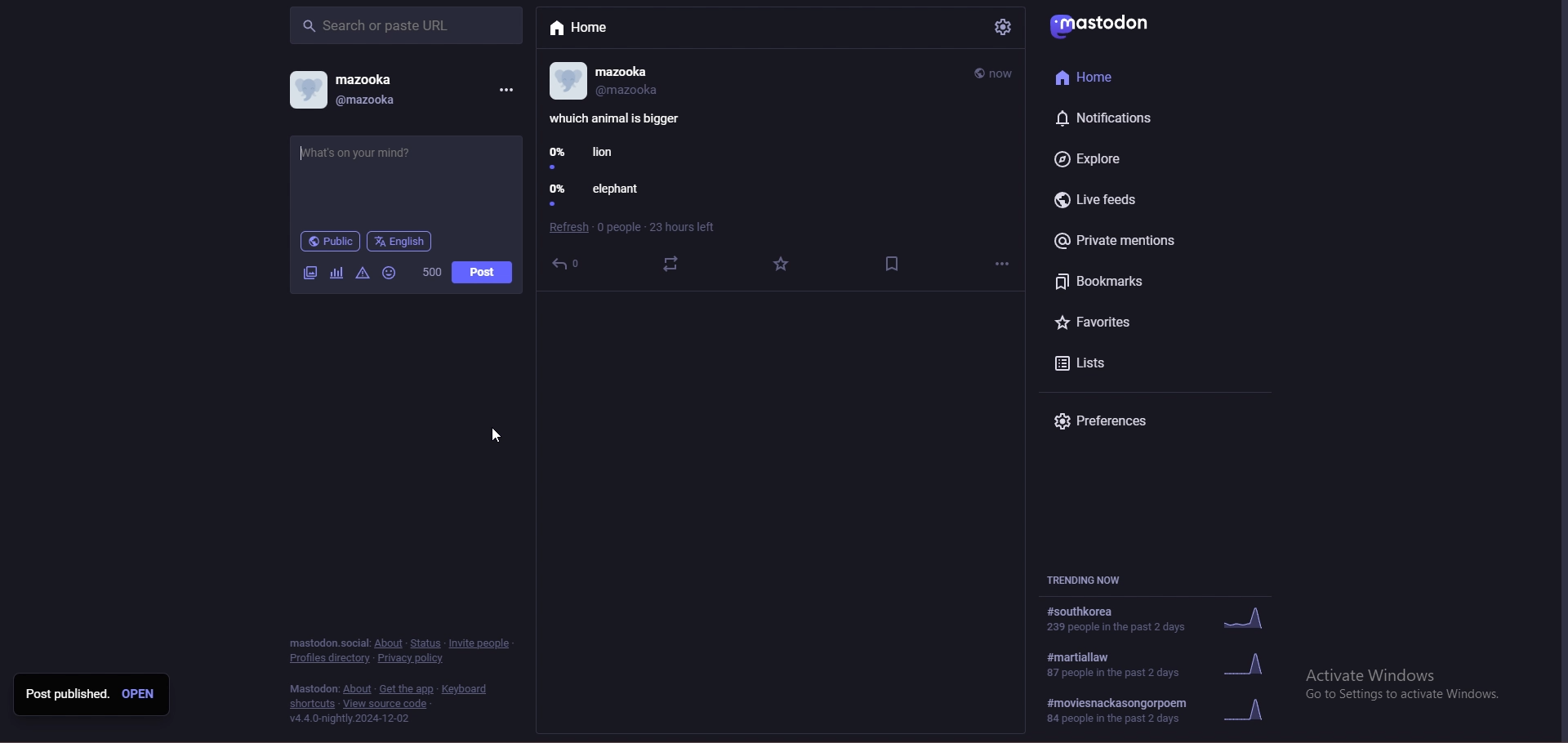 The width and height of the screenshot is (1568, 743). What do you see at coordinates (618, 227) in the screenshot?
I see `poeple seen` at bounding box center [618, 227].